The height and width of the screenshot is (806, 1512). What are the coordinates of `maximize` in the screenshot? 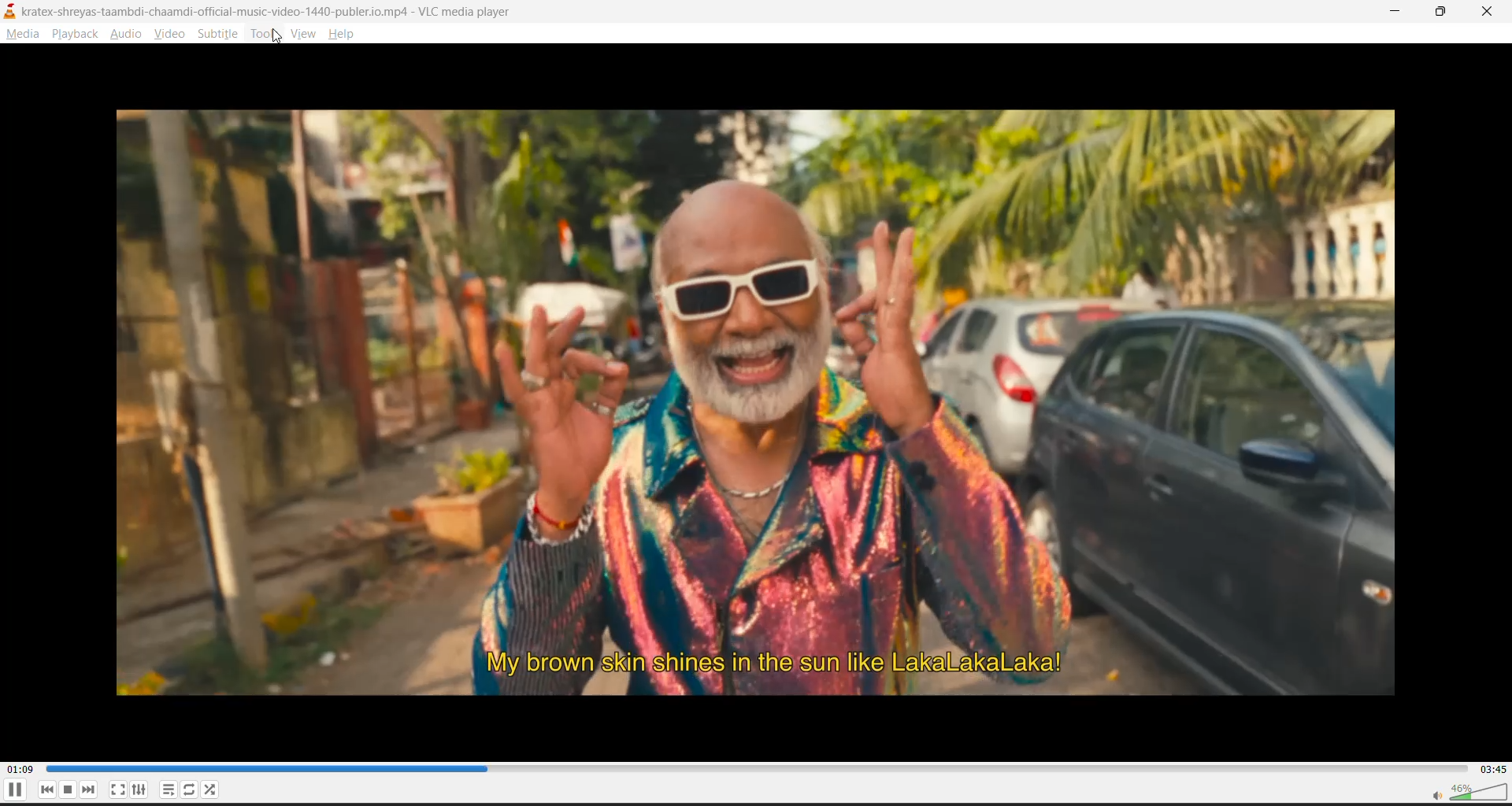 It's located at (1446, 13).